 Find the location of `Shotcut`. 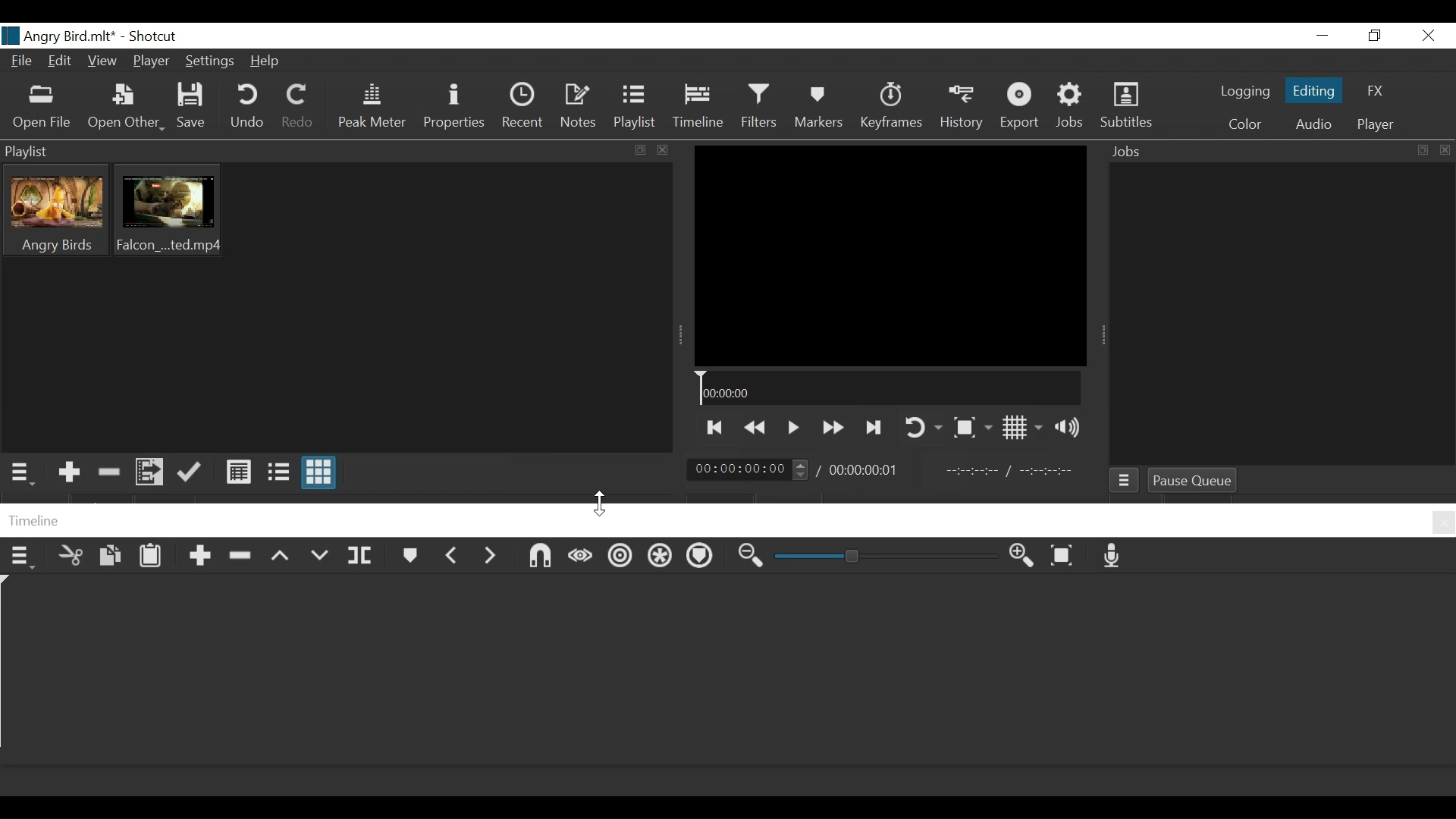

Shotcut is located at coordinates (151, 36).